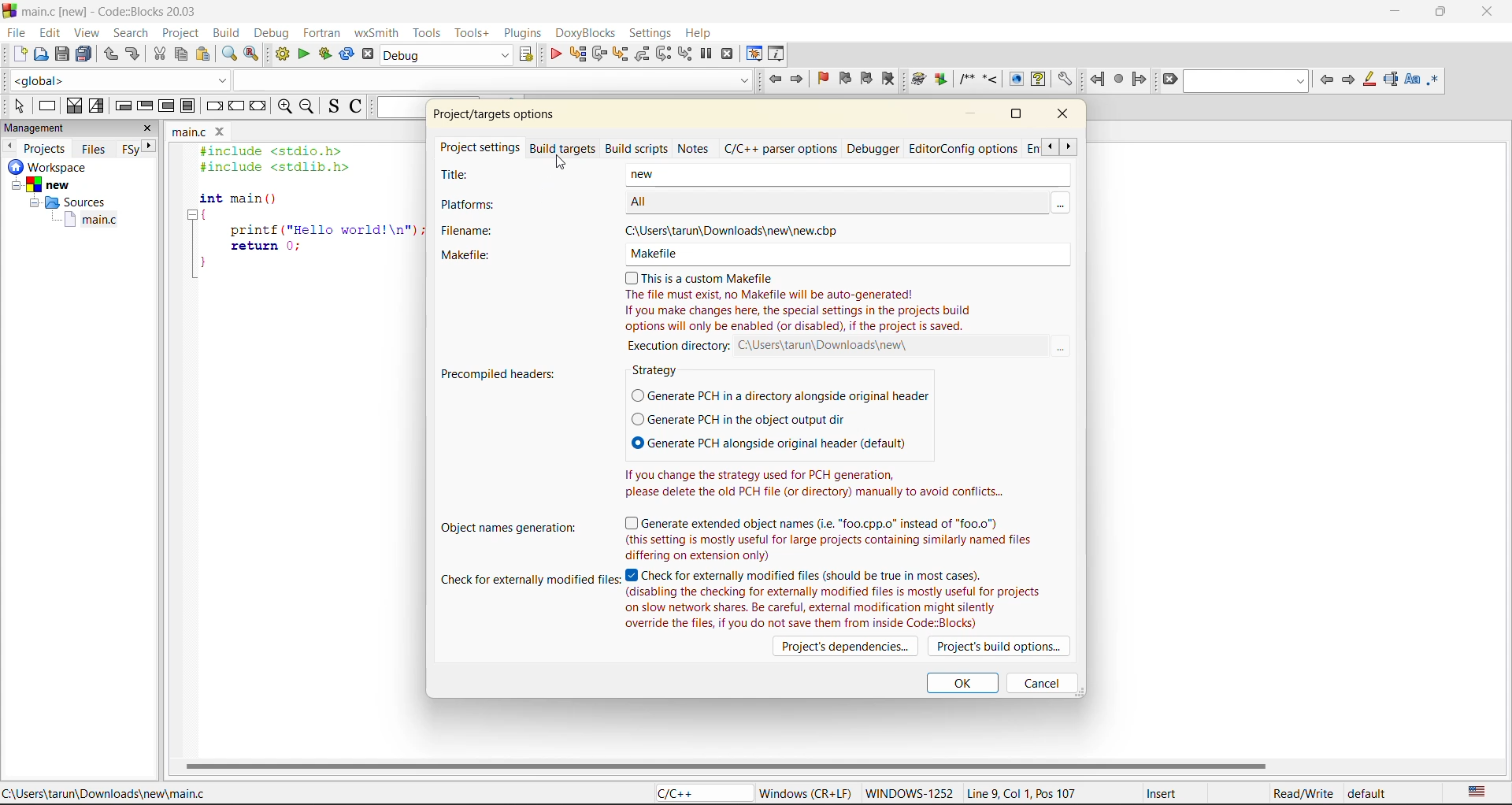  What do you see at coordinates (113, 10) in the screenshot?
I see `main.c [new] - Code::Blocks 20.03` at bounding box center [113, 10].